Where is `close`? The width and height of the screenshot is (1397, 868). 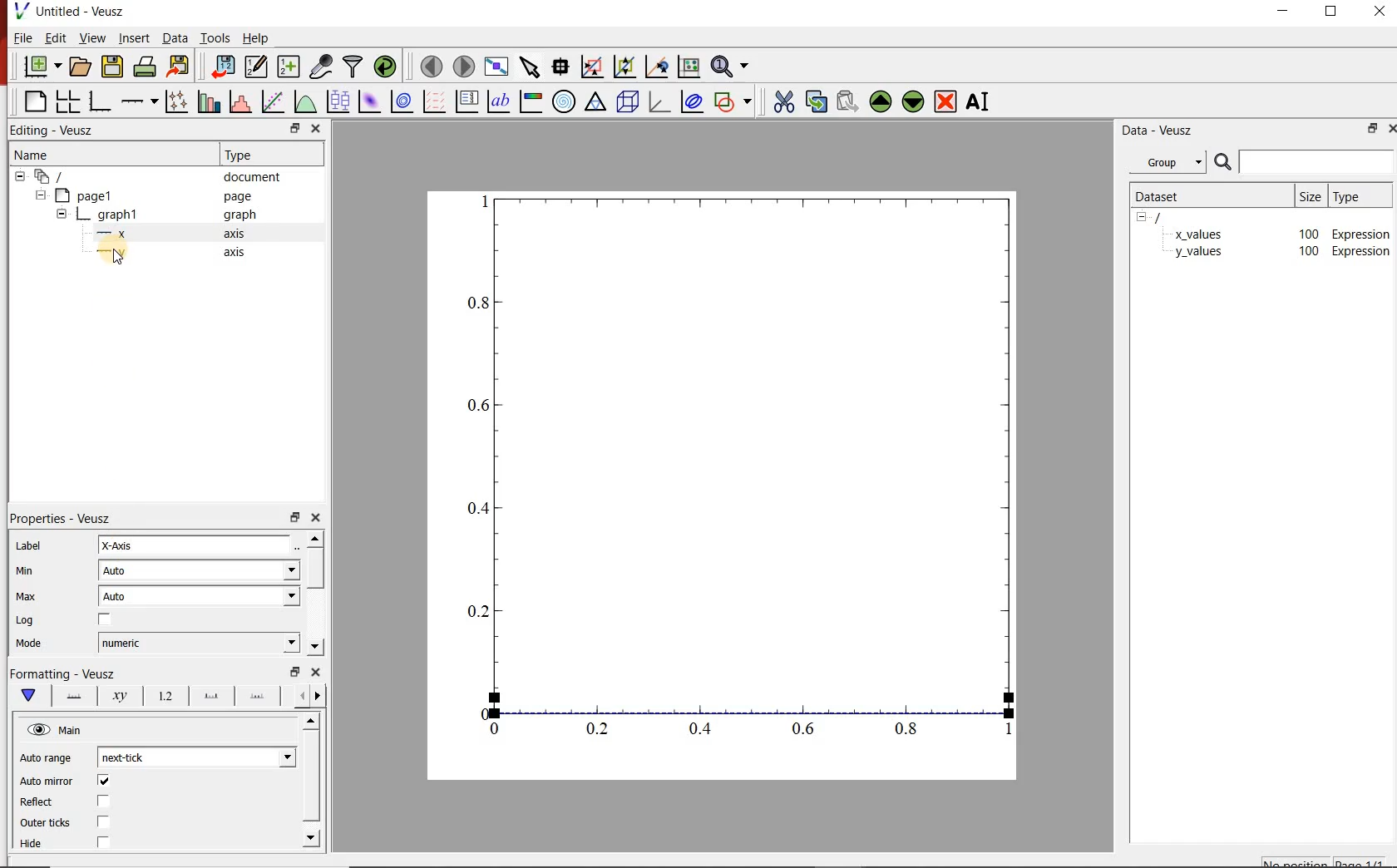 close is located at coordinates (316, 516).